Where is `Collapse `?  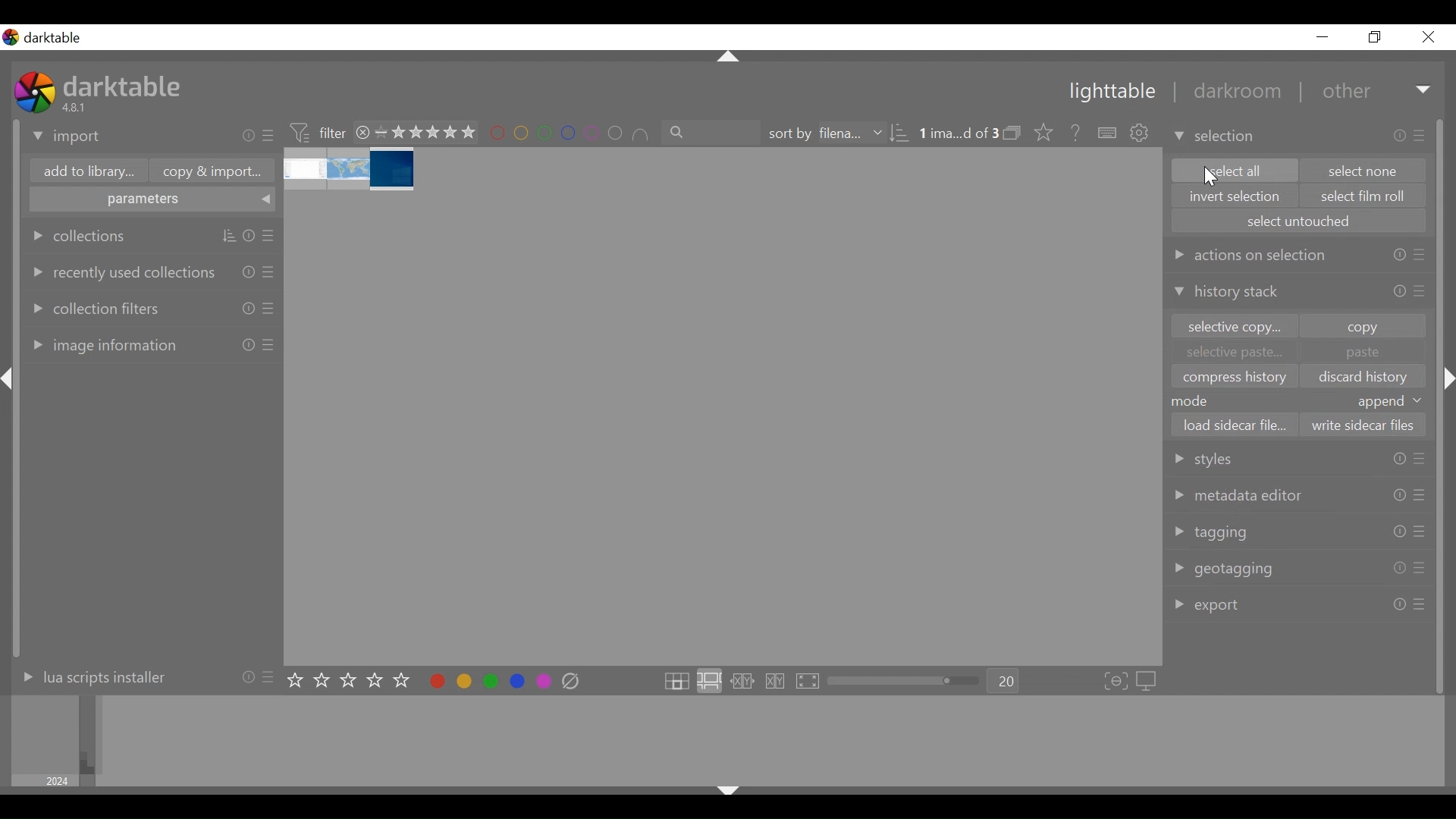
Collapse  is located at coordinates (727, 793).